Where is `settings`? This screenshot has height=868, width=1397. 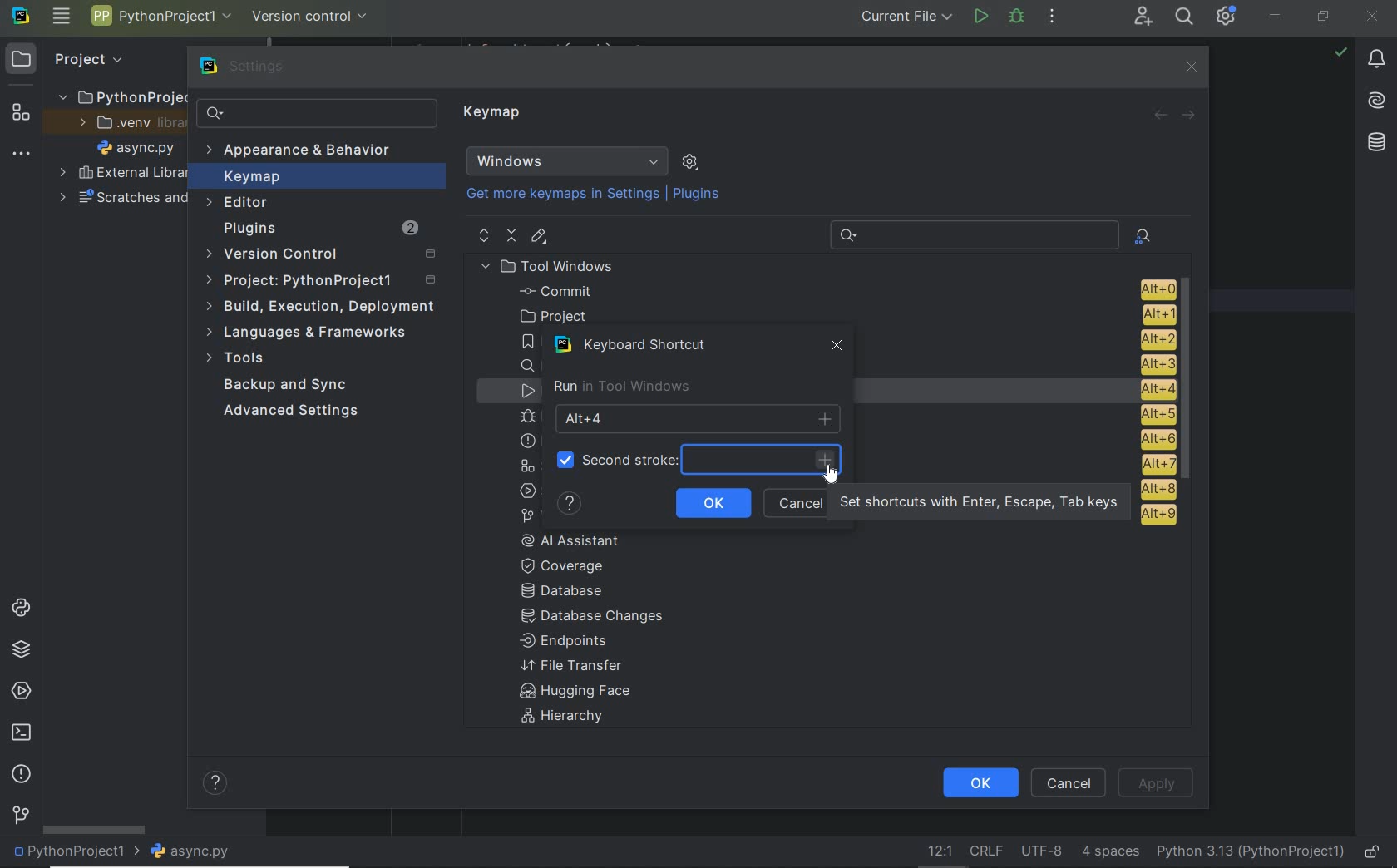
settings is located at coordinates (245, 67).